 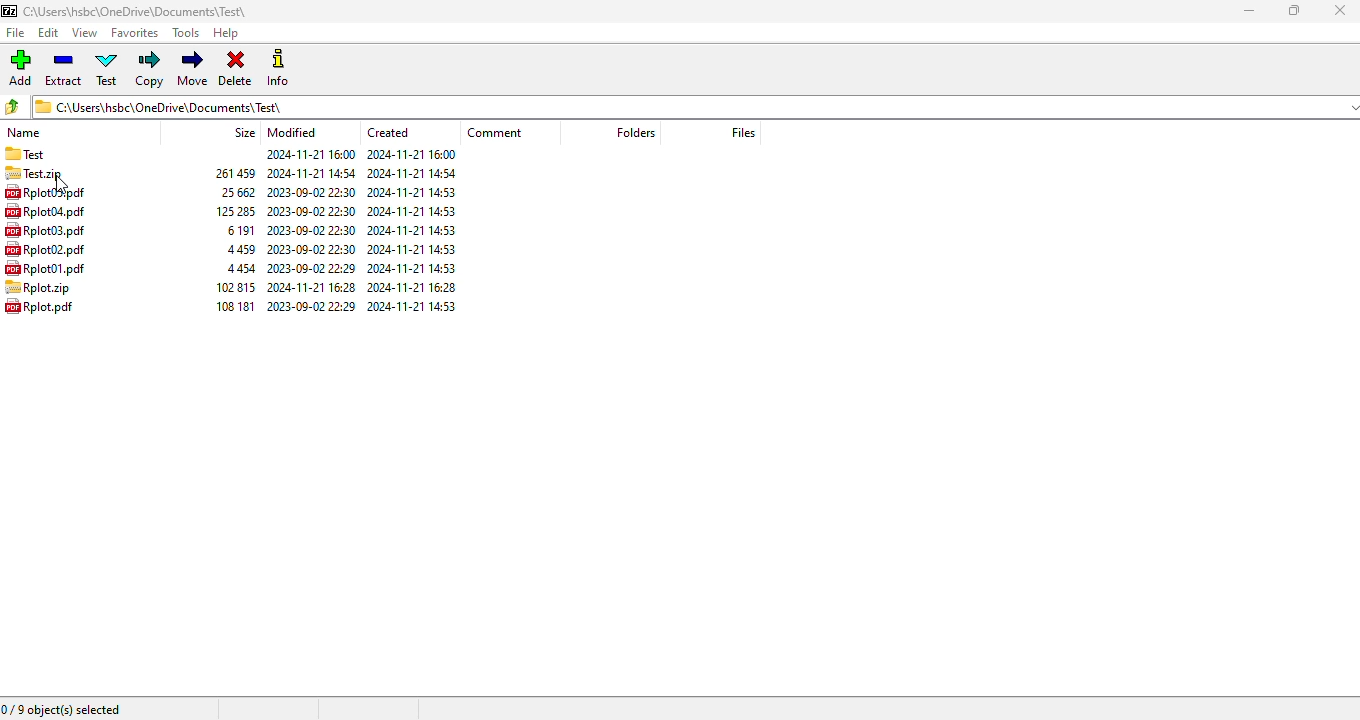 I want to click on size, so click(x=233, y=211).